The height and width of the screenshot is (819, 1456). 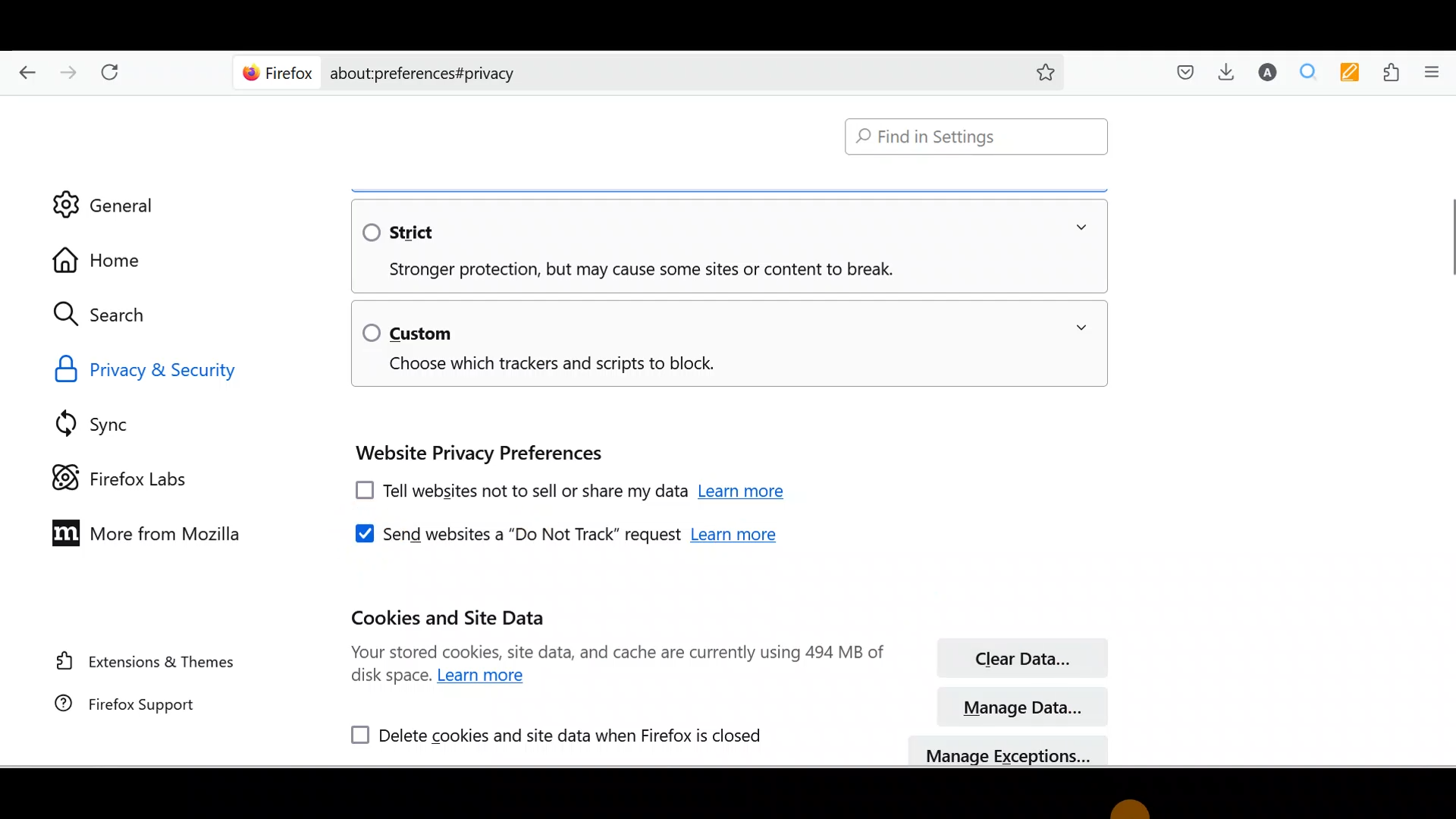 I want to click on disk space., so click(x=391, y=677).